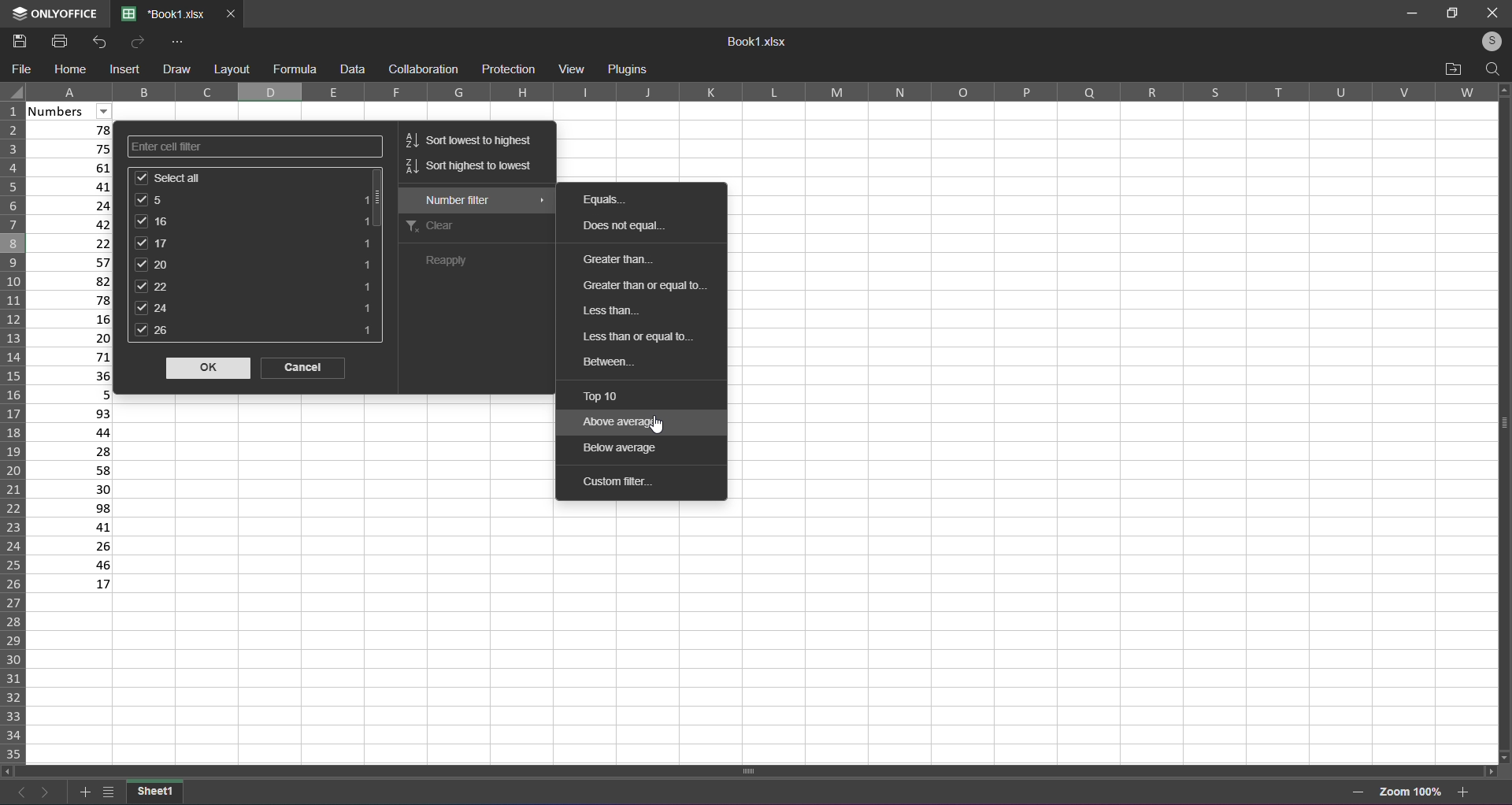 The width and height of the screenshot is (1512, 805). I want to click on top 10, so click(634, 395).